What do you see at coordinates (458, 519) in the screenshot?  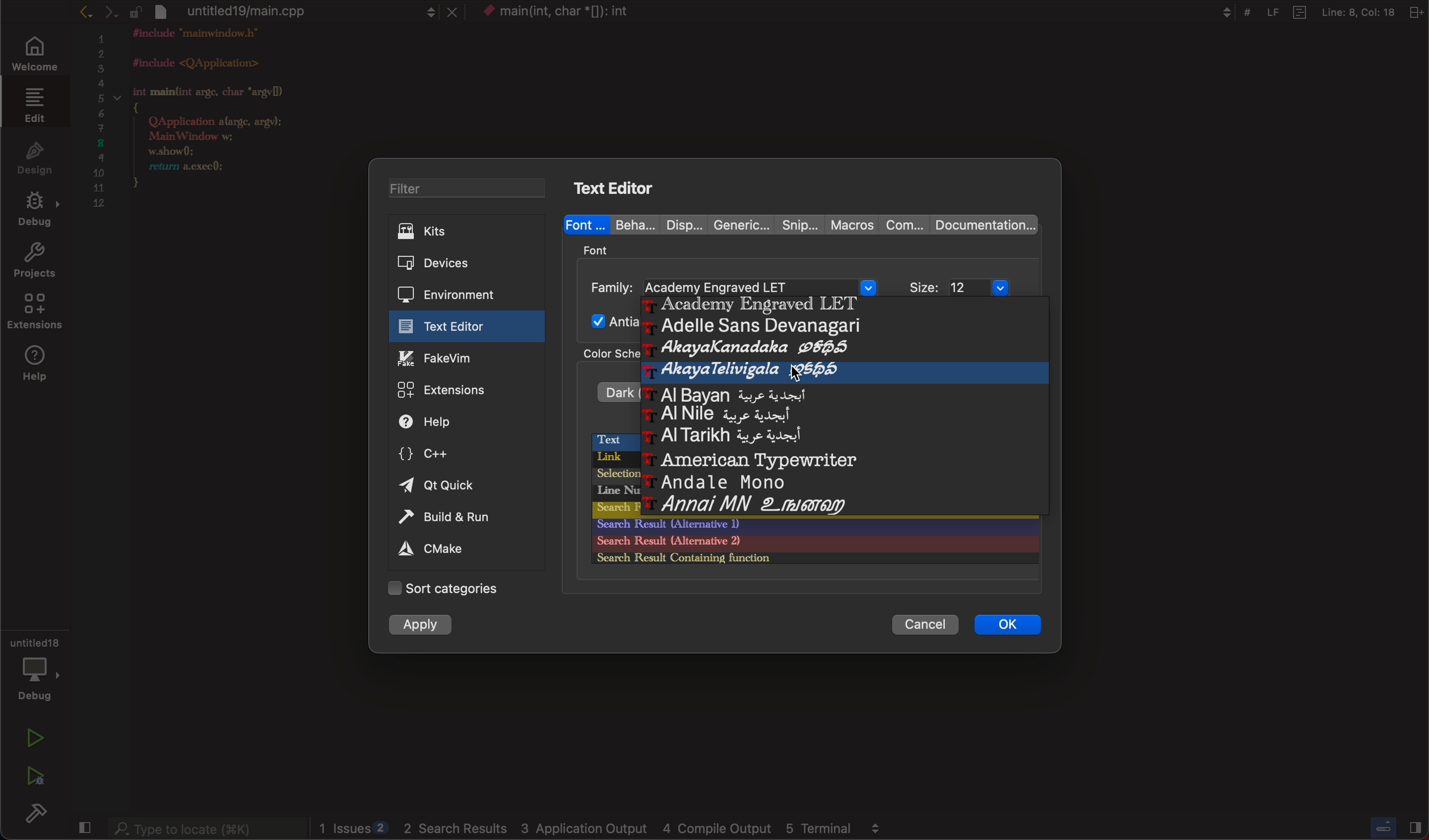 I see `build and run` at bounding box center [458, 519].